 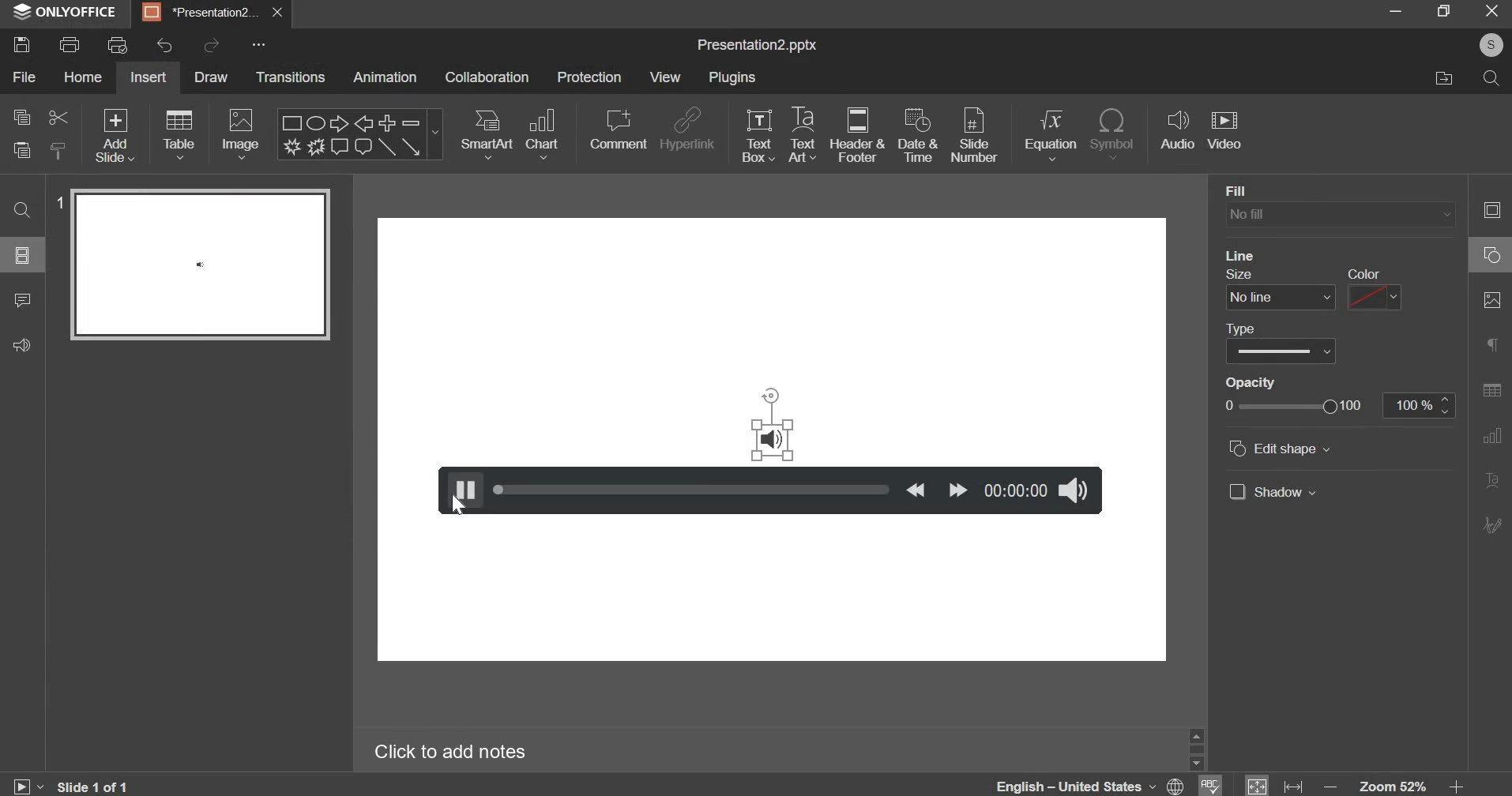 I want to click on fill, so click(x=1264, y=191).